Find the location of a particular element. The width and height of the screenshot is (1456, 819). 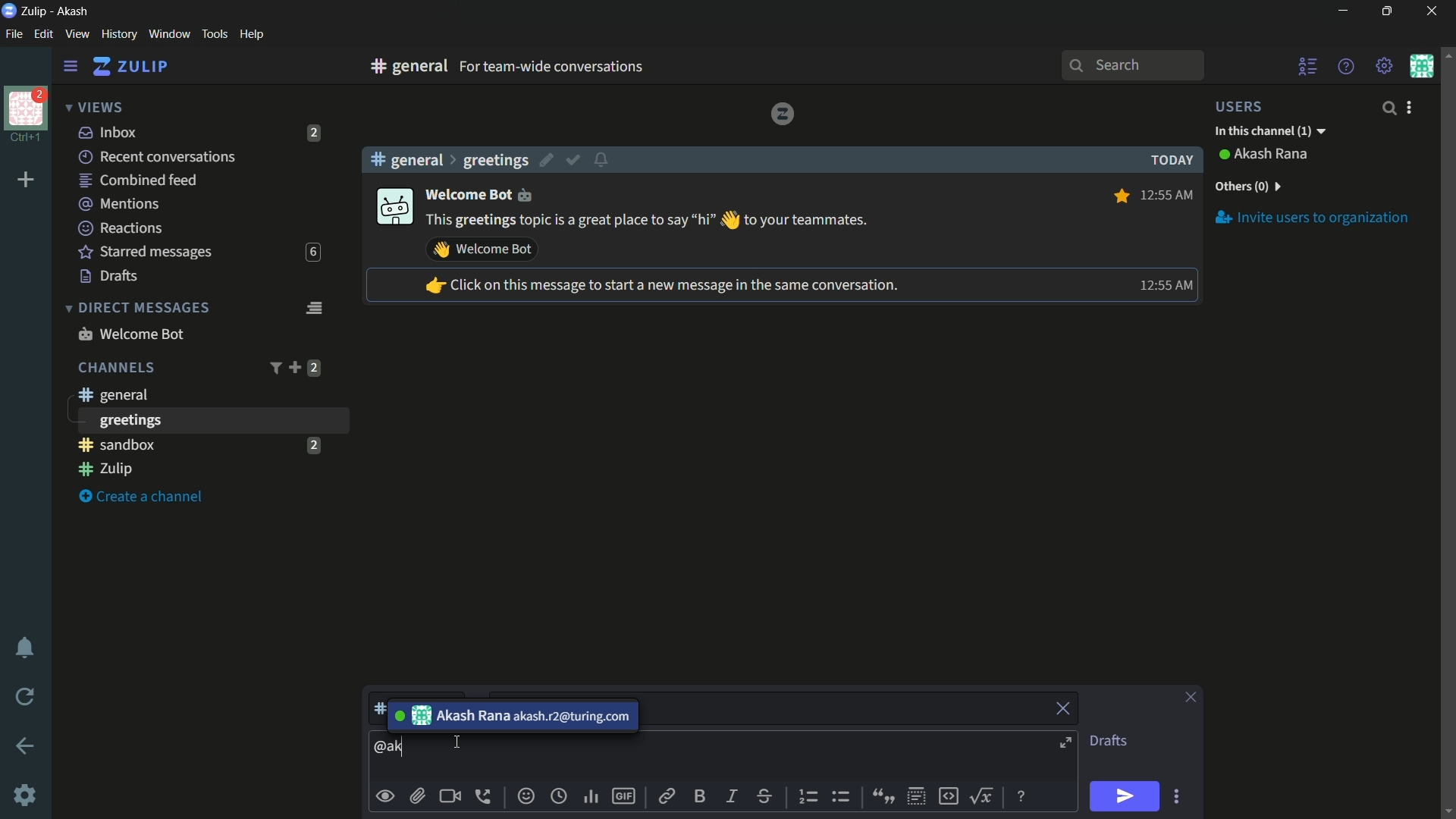

Send wave emoji to welcome bot is located at coordinates (482, 249).